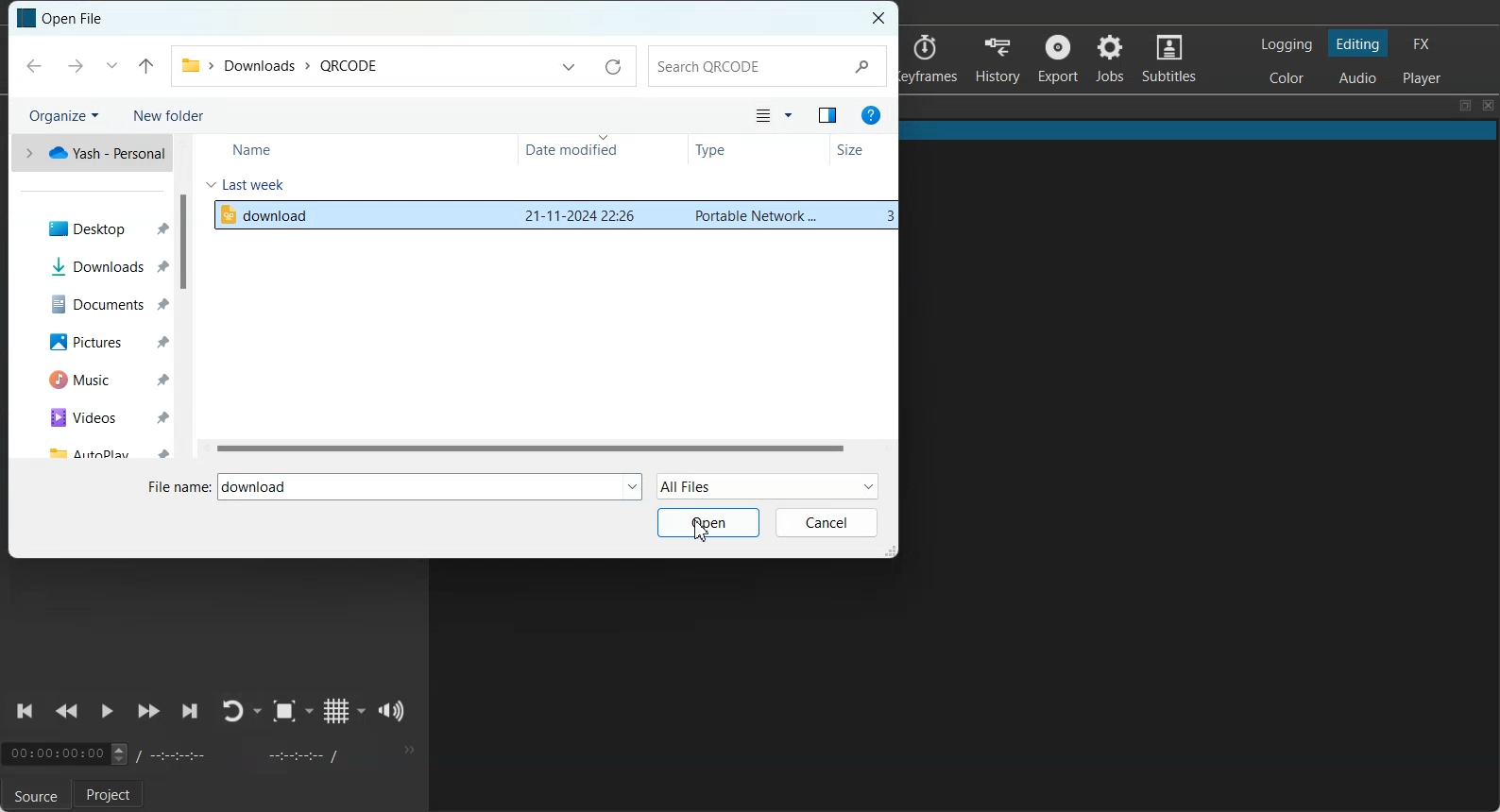  I want to click on New Folder, so click(169, 114).